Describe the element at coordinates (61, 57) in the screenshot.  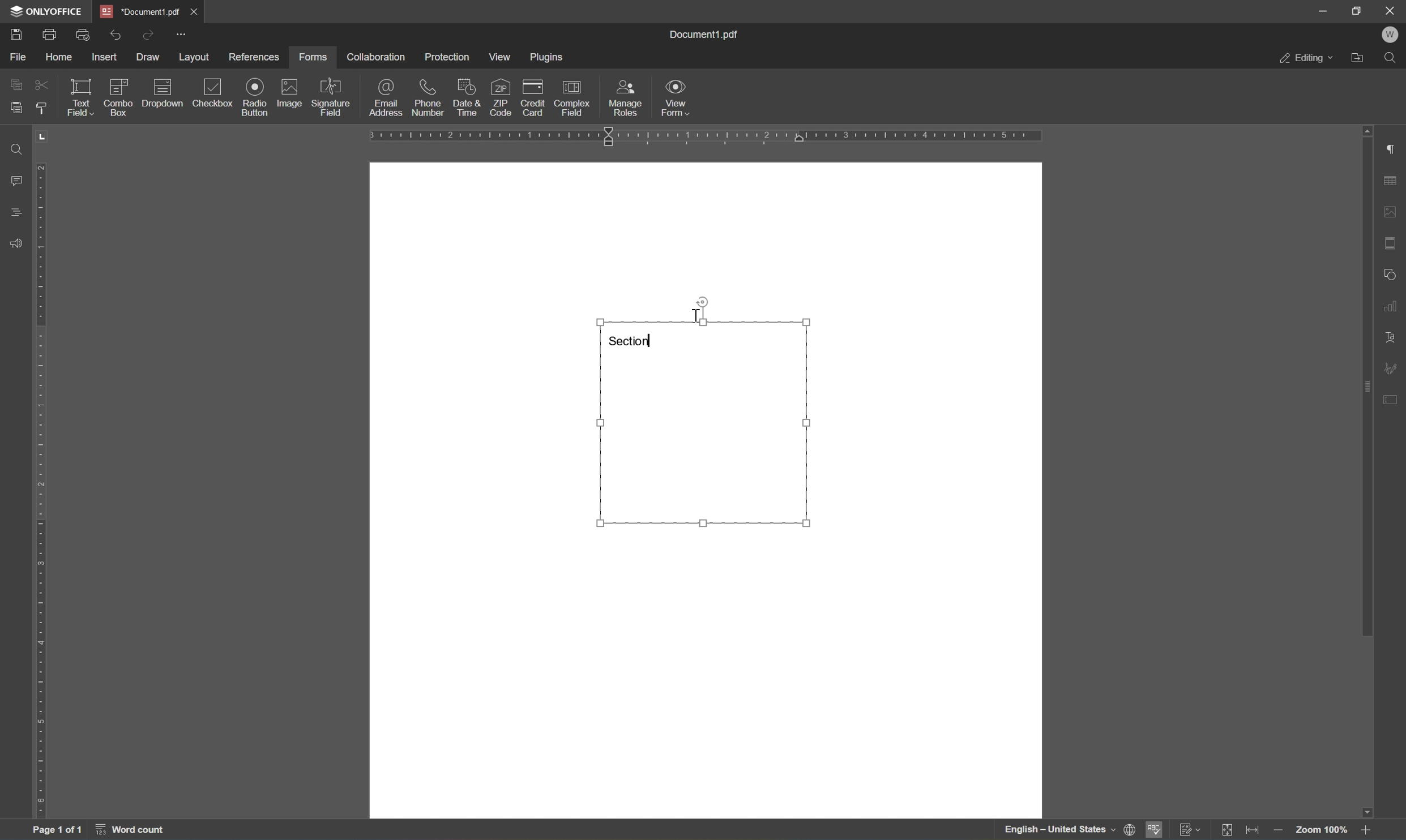
I see `home` at that location.